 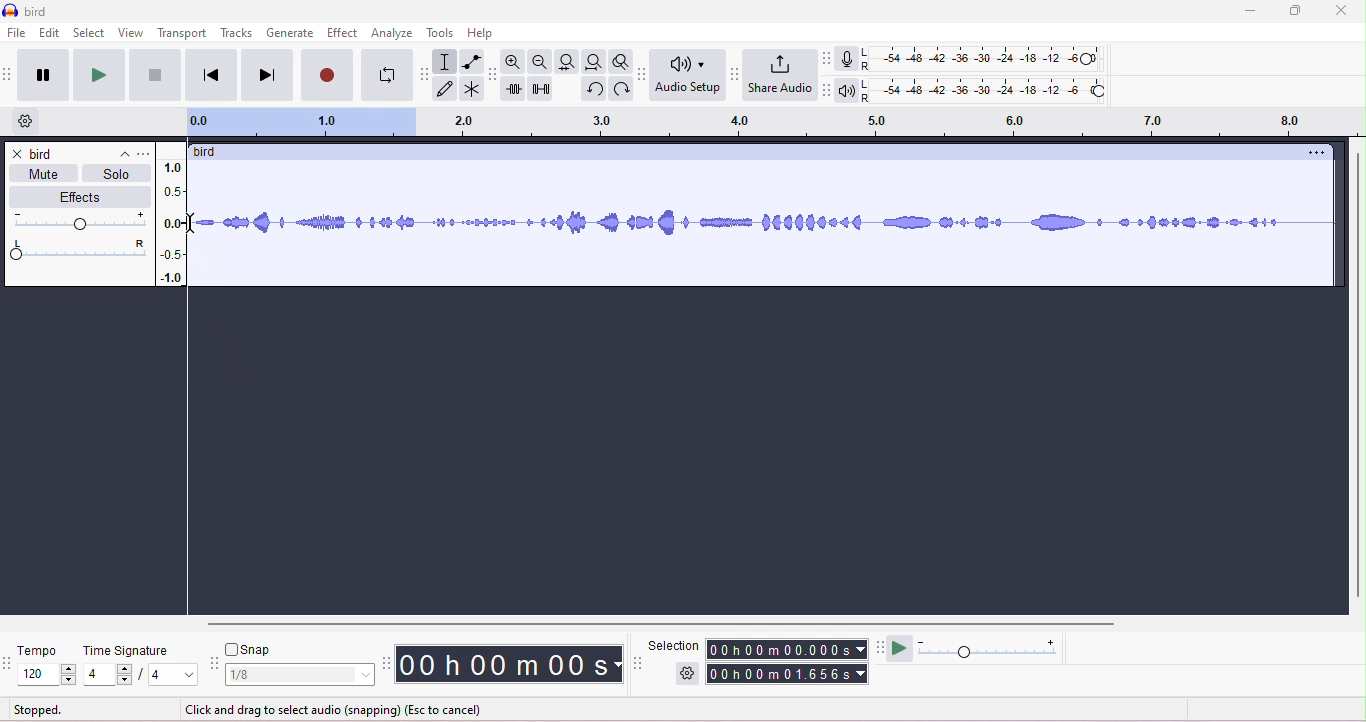 What do you see at coordinates (236, 34) in the screenshot?
I see `tracks` at bounding box center [236, 34].